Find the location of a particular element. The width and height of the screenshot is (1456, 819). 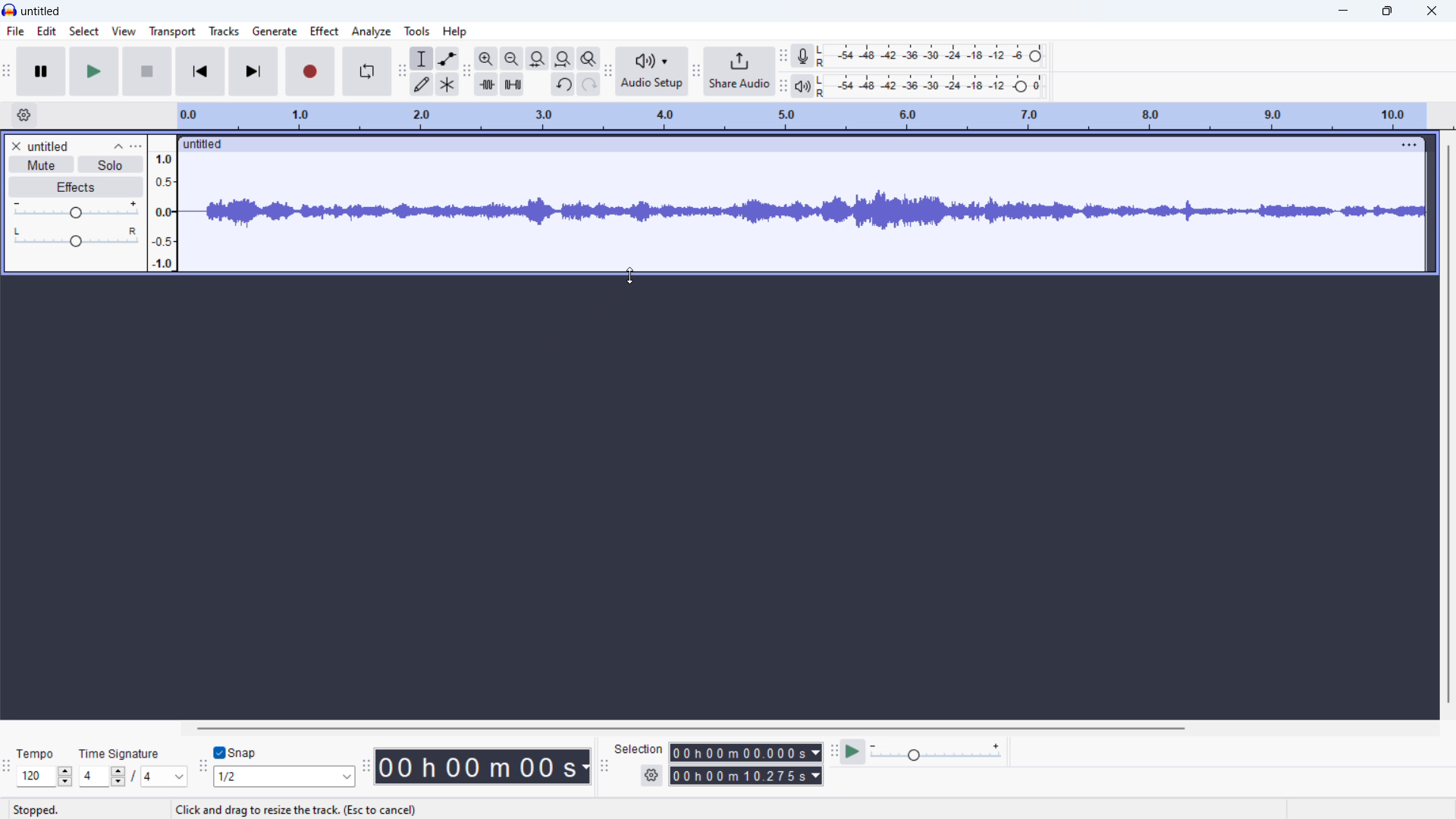

share audio toolbar is located at coordinates (696, 74).